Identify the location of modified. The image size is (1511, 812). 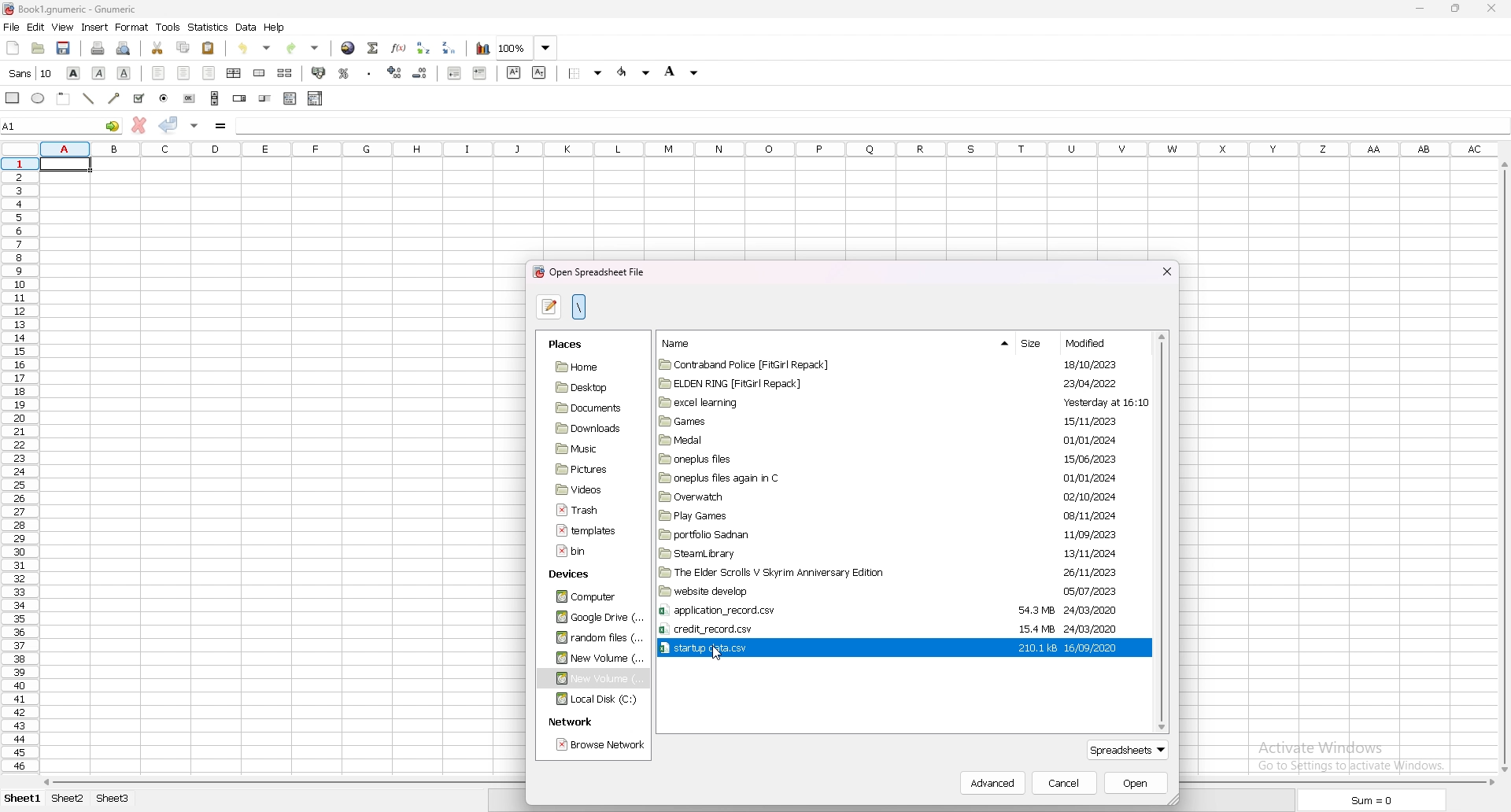
(1098, 343).